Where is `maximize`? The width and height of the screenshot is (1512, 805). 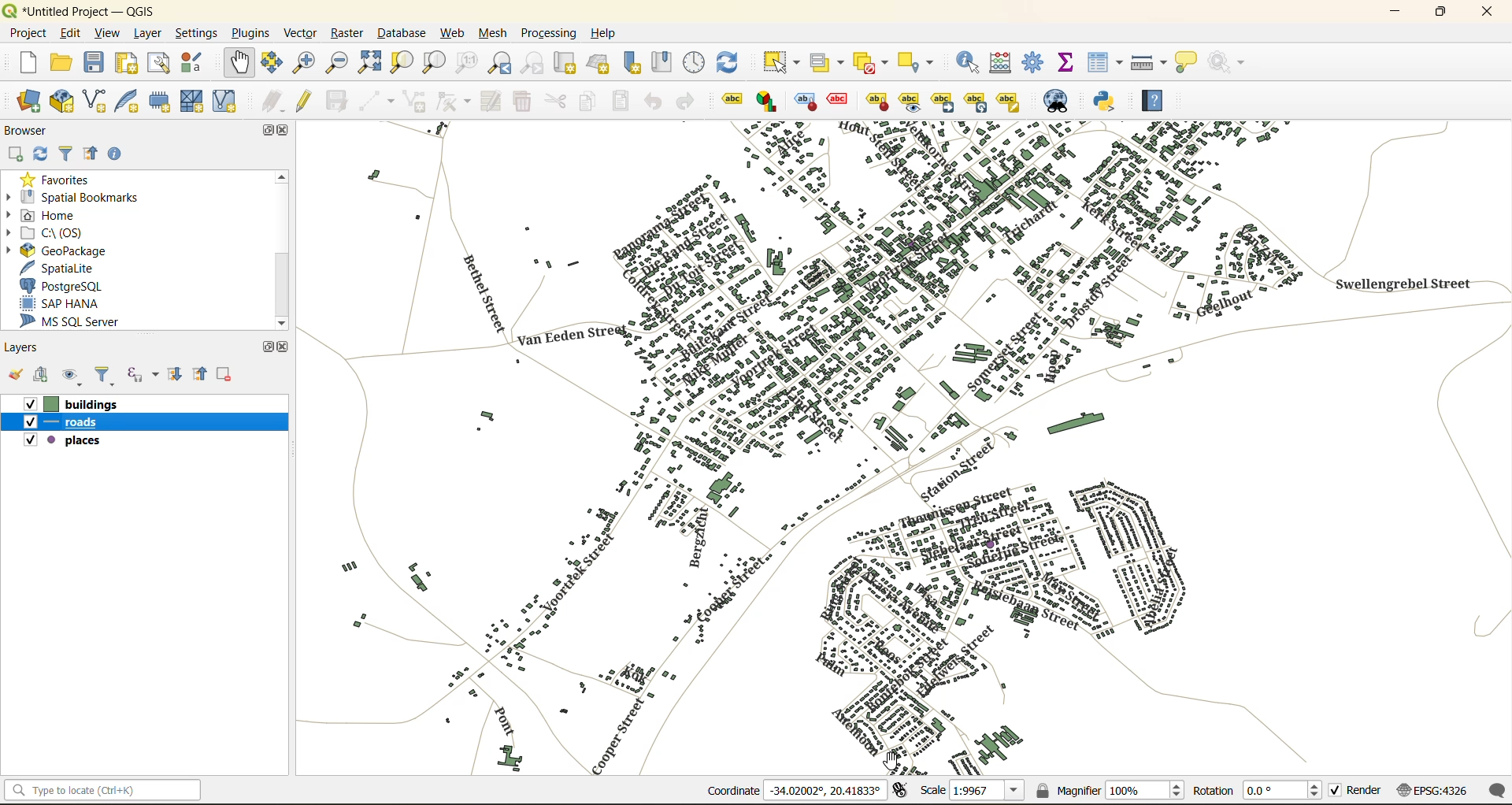 maximize is located at coordinates (265, 347).